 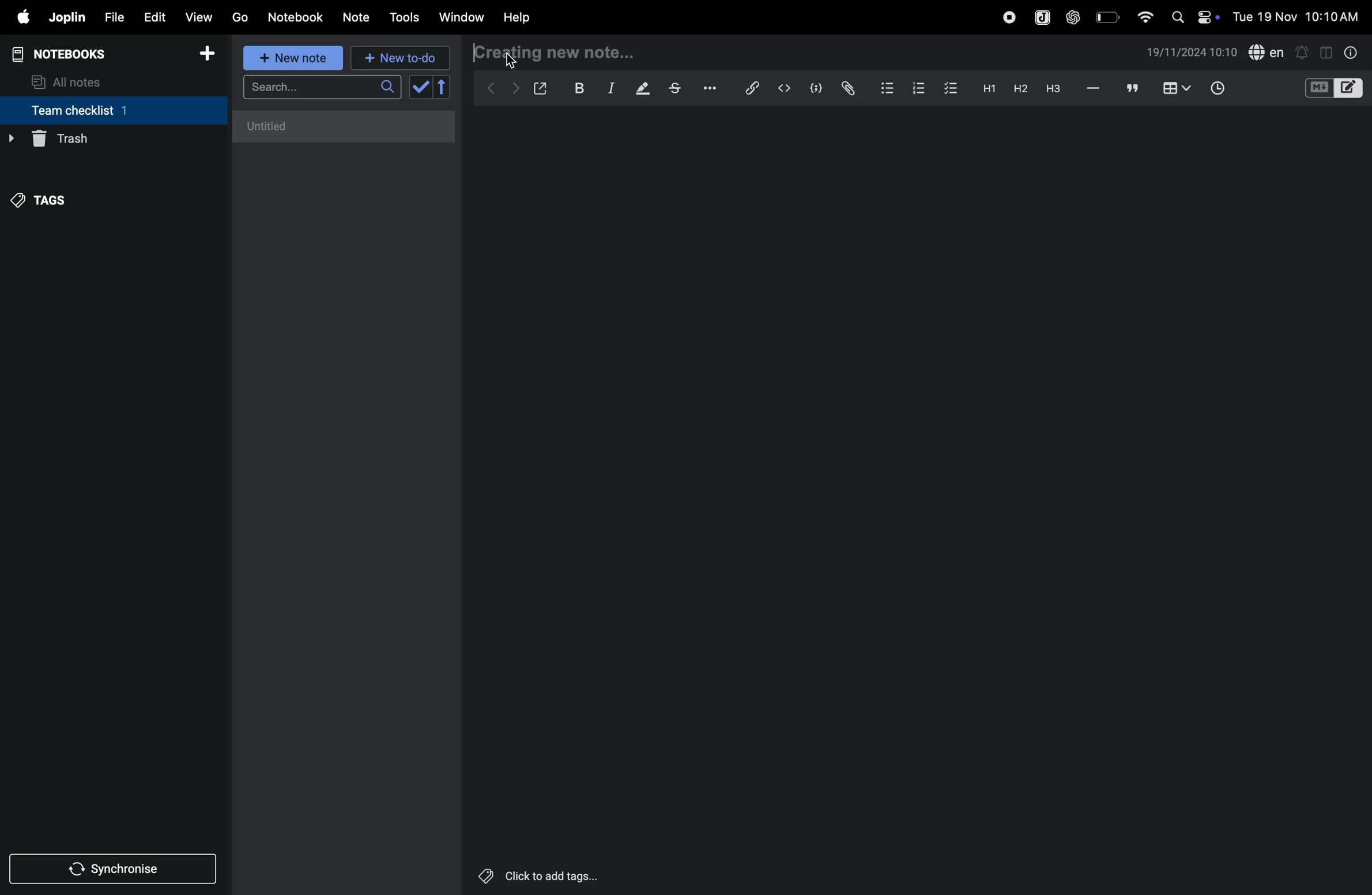 What do you see at coordinates (1071, 17) in the screenshot?
I see `chat gpt` at bounding box center [1071, 17].